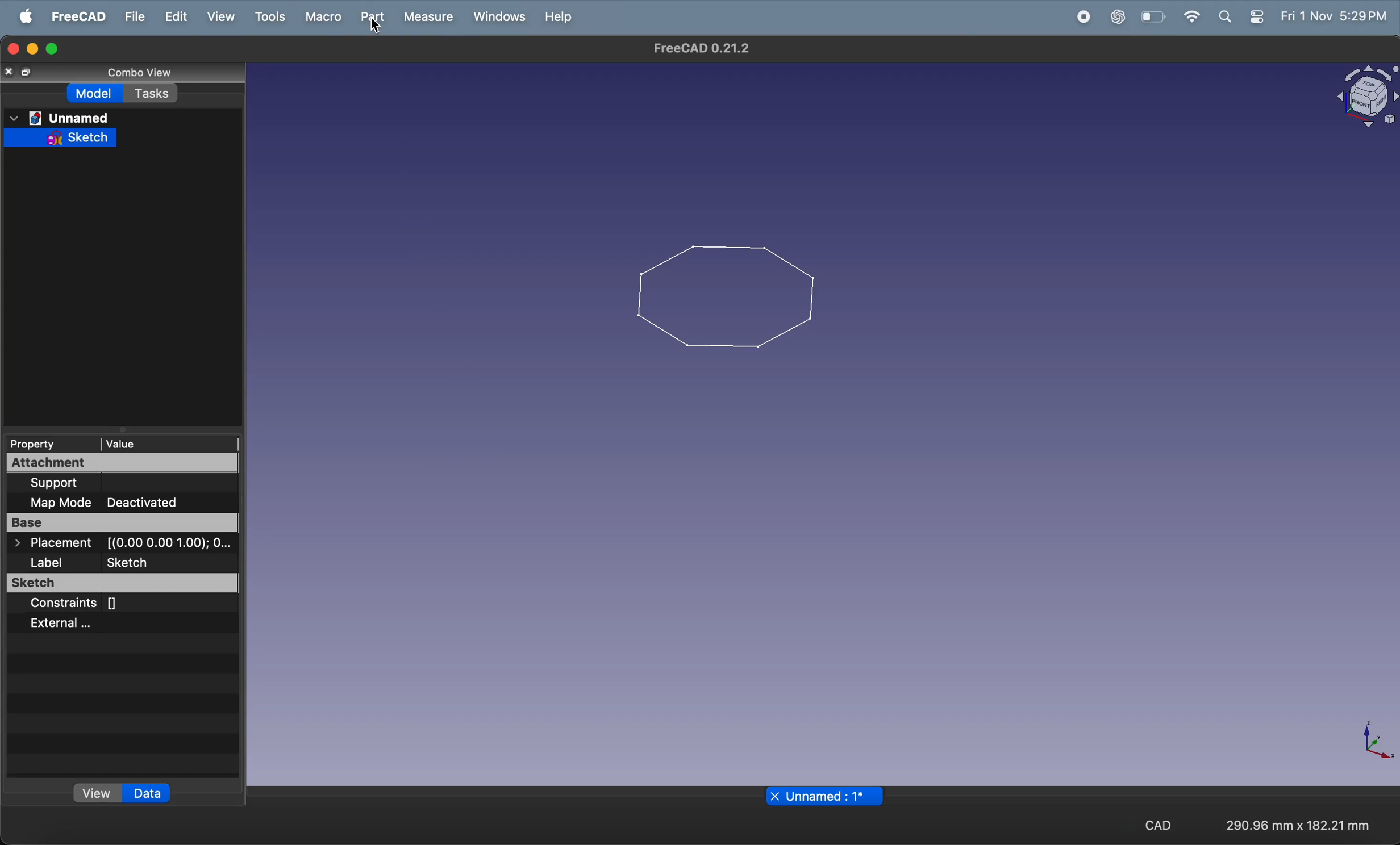 This screenshot has height=845, width=1400. Describe the element at coordinates (322, 18) in the screenshot. I see `marco` at that location.